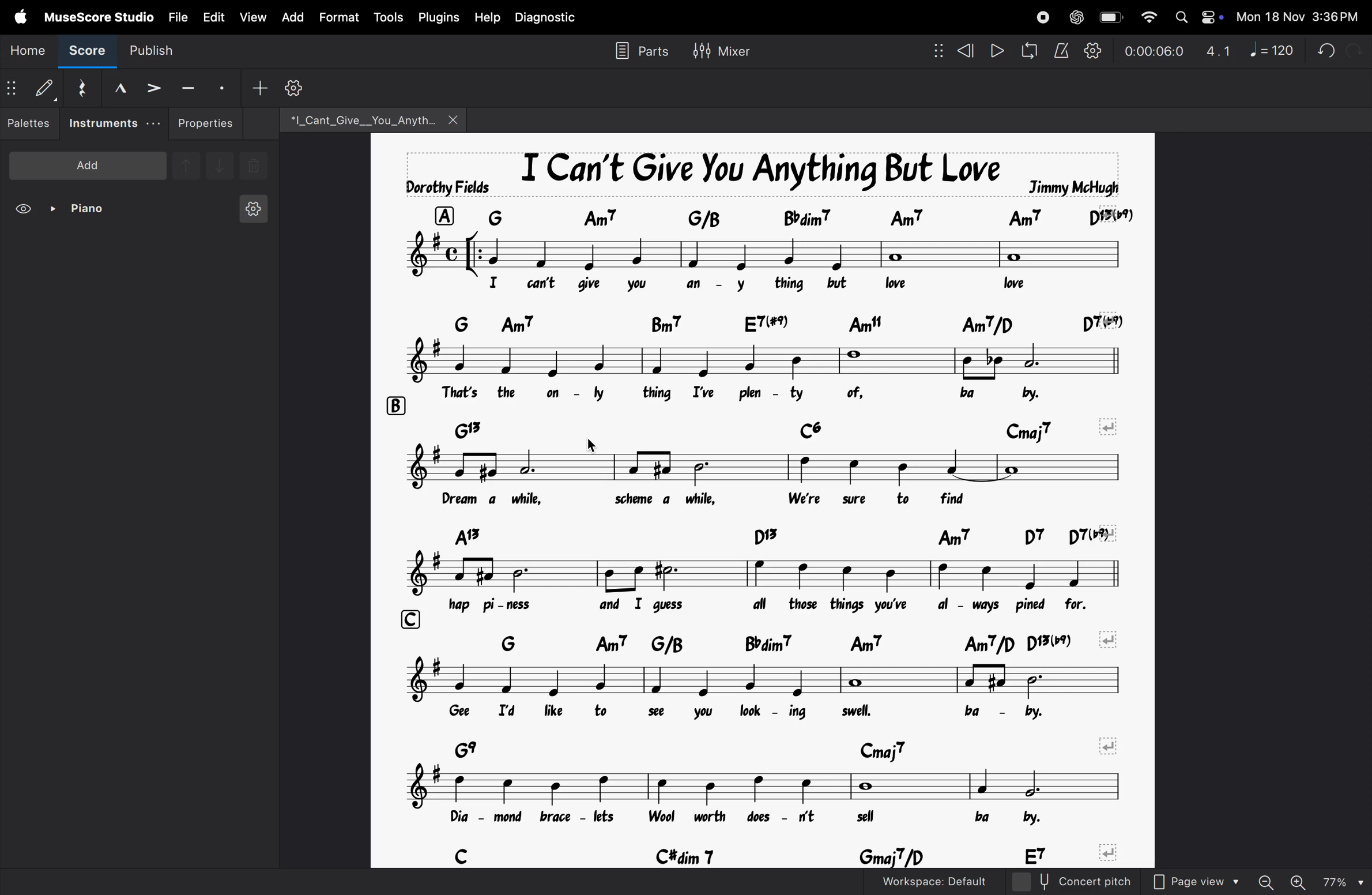 Image resolution: width=1372 pixels, height=895 pixels. I want to click on chord symbols, so click(787, 319).